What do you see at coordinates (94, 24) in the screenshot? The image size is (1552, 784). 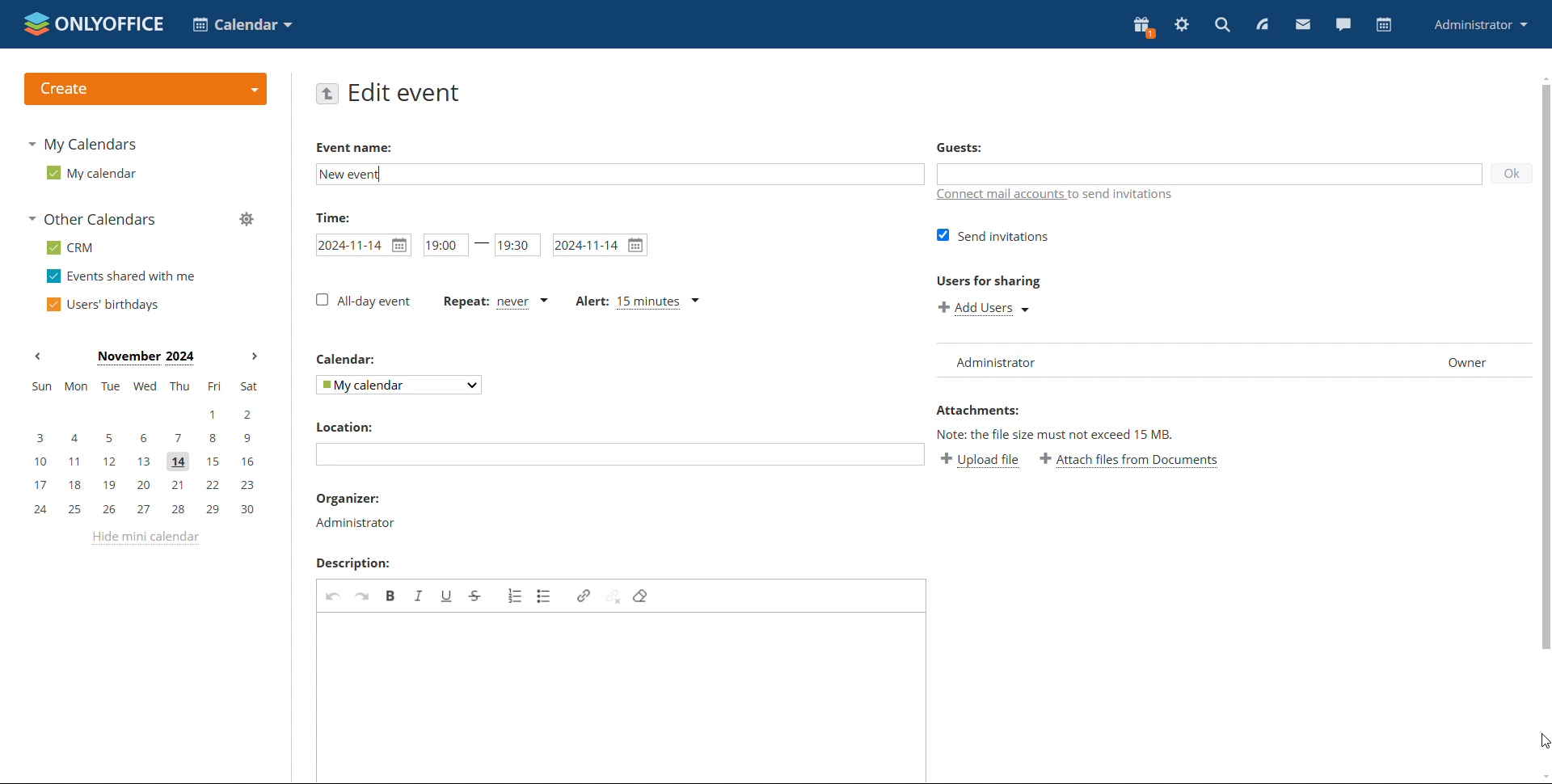 I see `logo` at bounding box center [94, 24].